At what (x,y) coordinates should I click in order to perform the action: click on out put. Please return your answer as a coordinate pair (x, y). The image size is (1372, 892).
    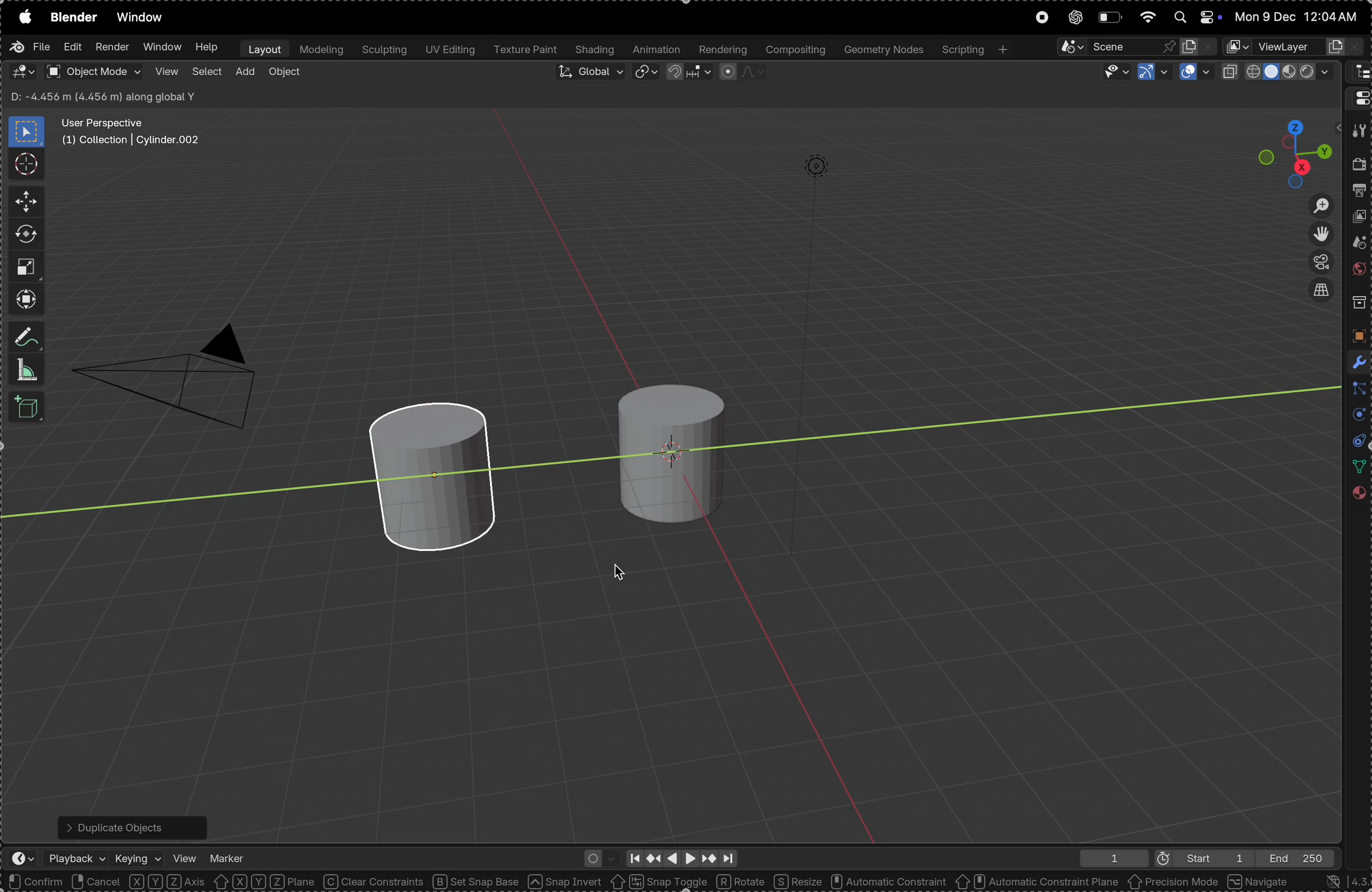
    Looking at the image, I should click on (1359, 192).